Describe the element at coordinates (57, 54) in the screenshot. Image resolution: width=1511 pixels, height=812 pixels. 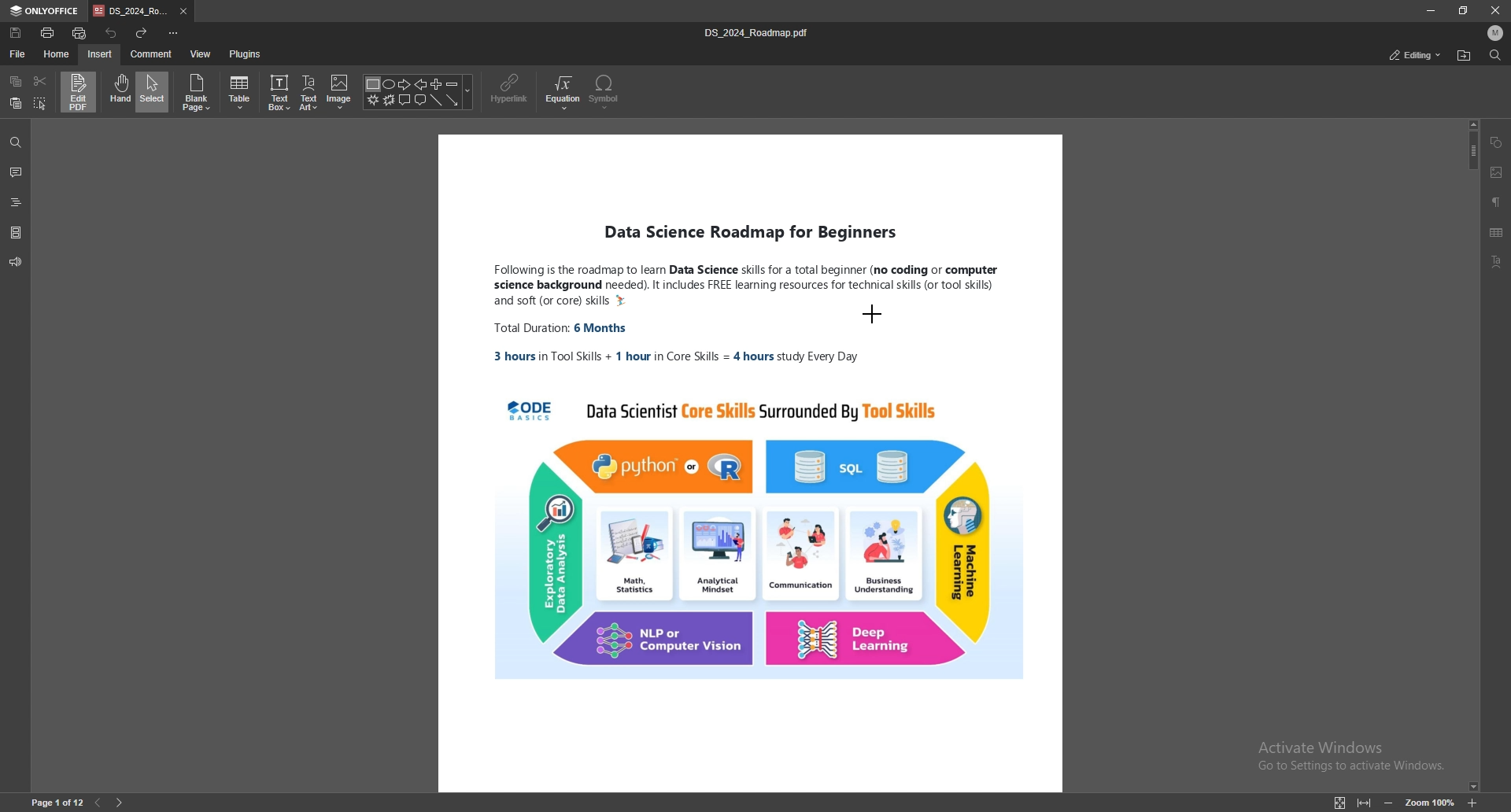
I see `home` at that location.